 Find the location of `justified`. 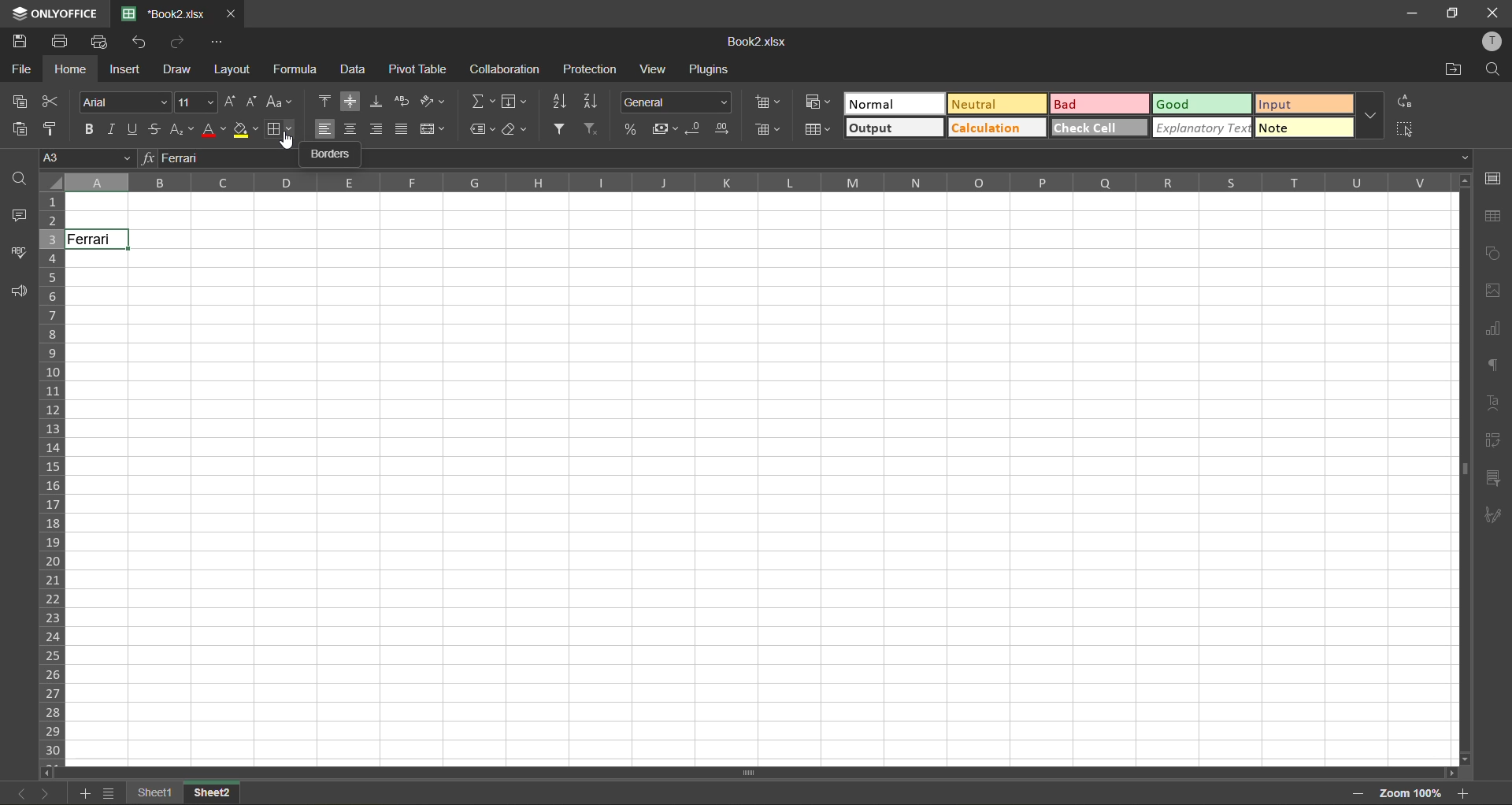

justified is located at coordinates (401, 128).